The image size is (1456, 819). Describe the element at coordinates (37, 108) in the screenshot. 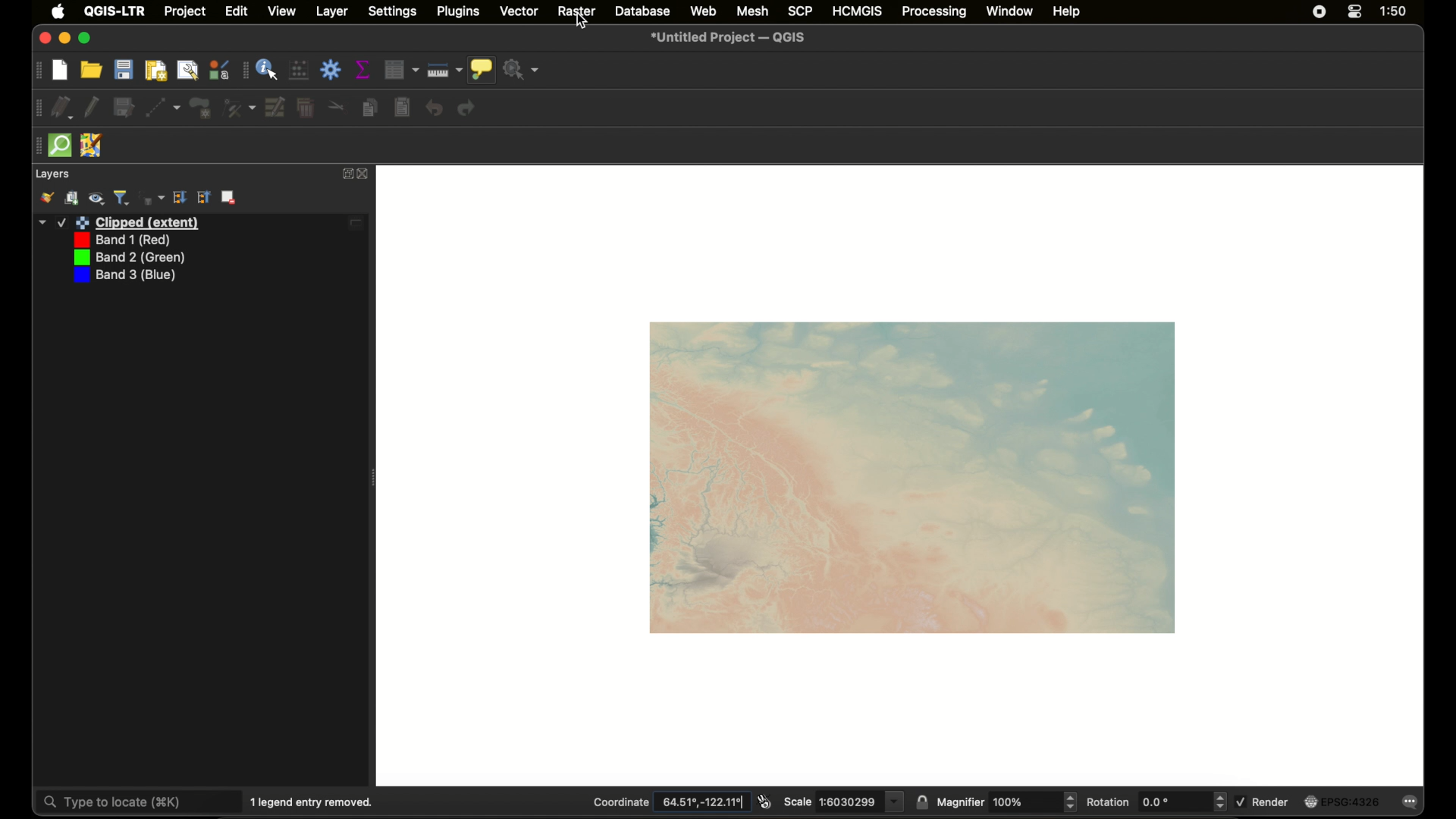

I see `drag handke` at that location.